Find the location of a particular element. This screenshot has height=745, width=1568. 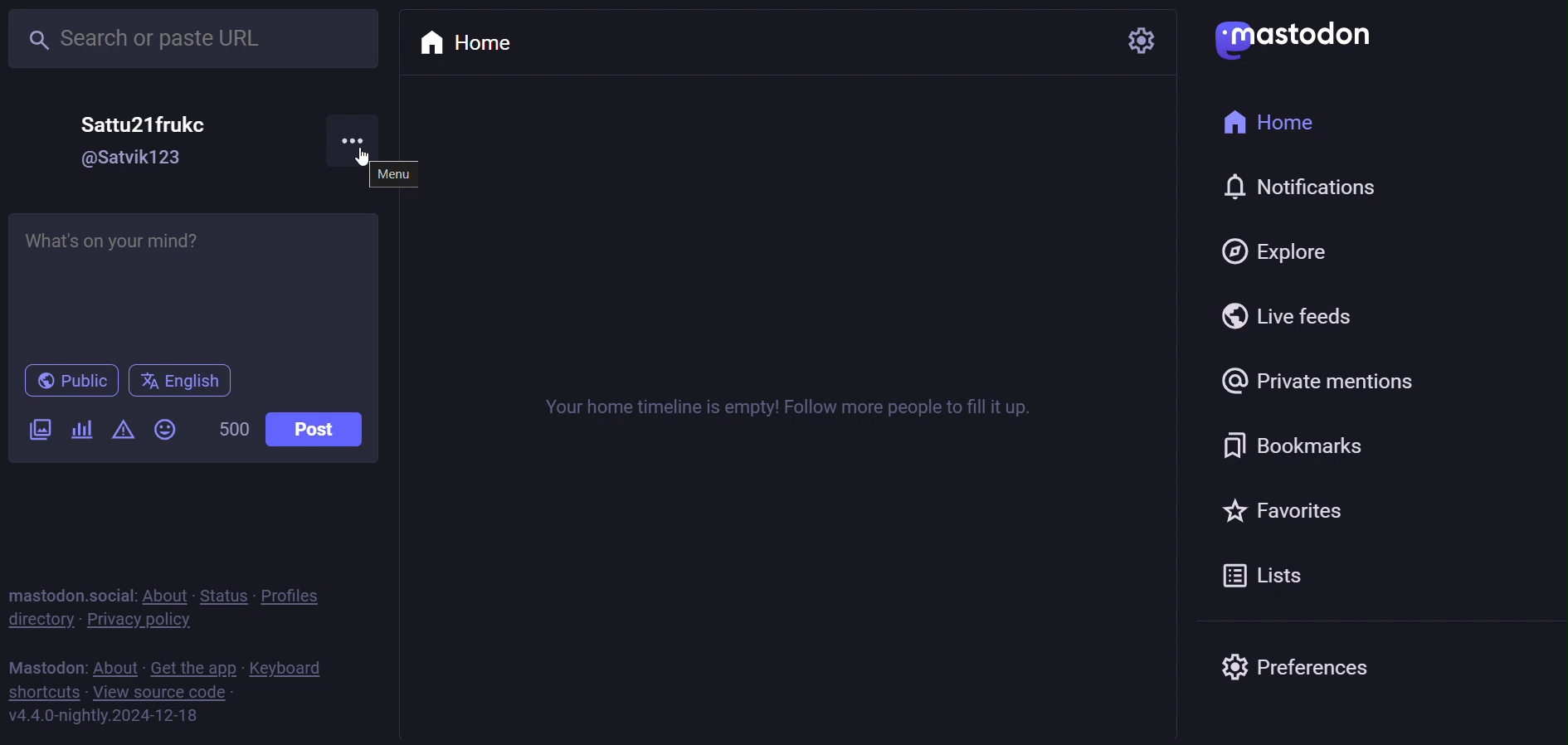

Search or paste URL is located at coordinates (195, 34).